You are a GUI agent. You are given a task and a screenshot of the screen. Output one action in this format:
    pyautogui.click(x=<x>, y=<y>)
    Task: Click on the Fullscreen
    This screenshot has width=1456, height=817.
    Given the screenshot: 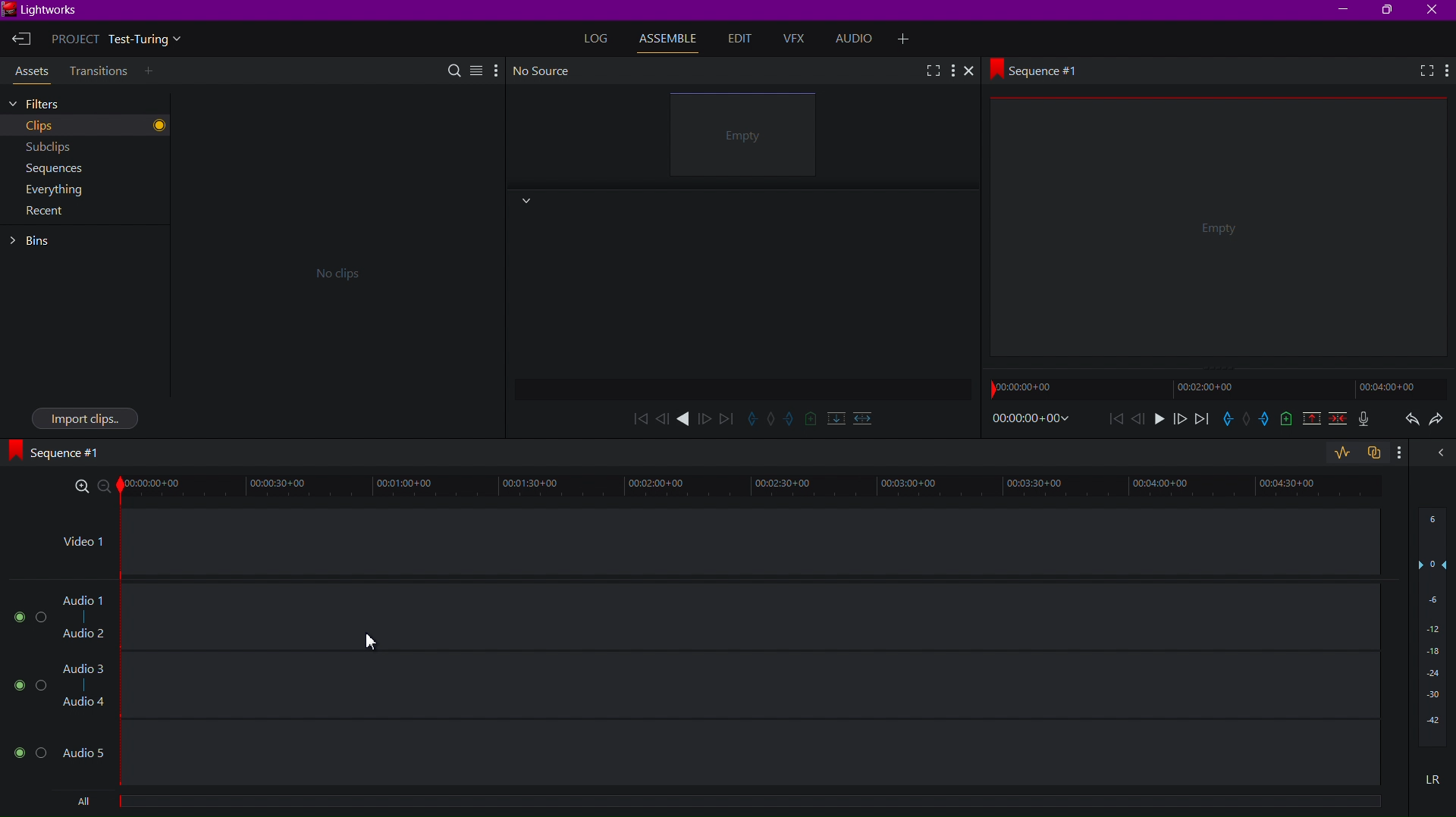 What is the action you would take?
    pyautogui.click(x=931, y=70)
    